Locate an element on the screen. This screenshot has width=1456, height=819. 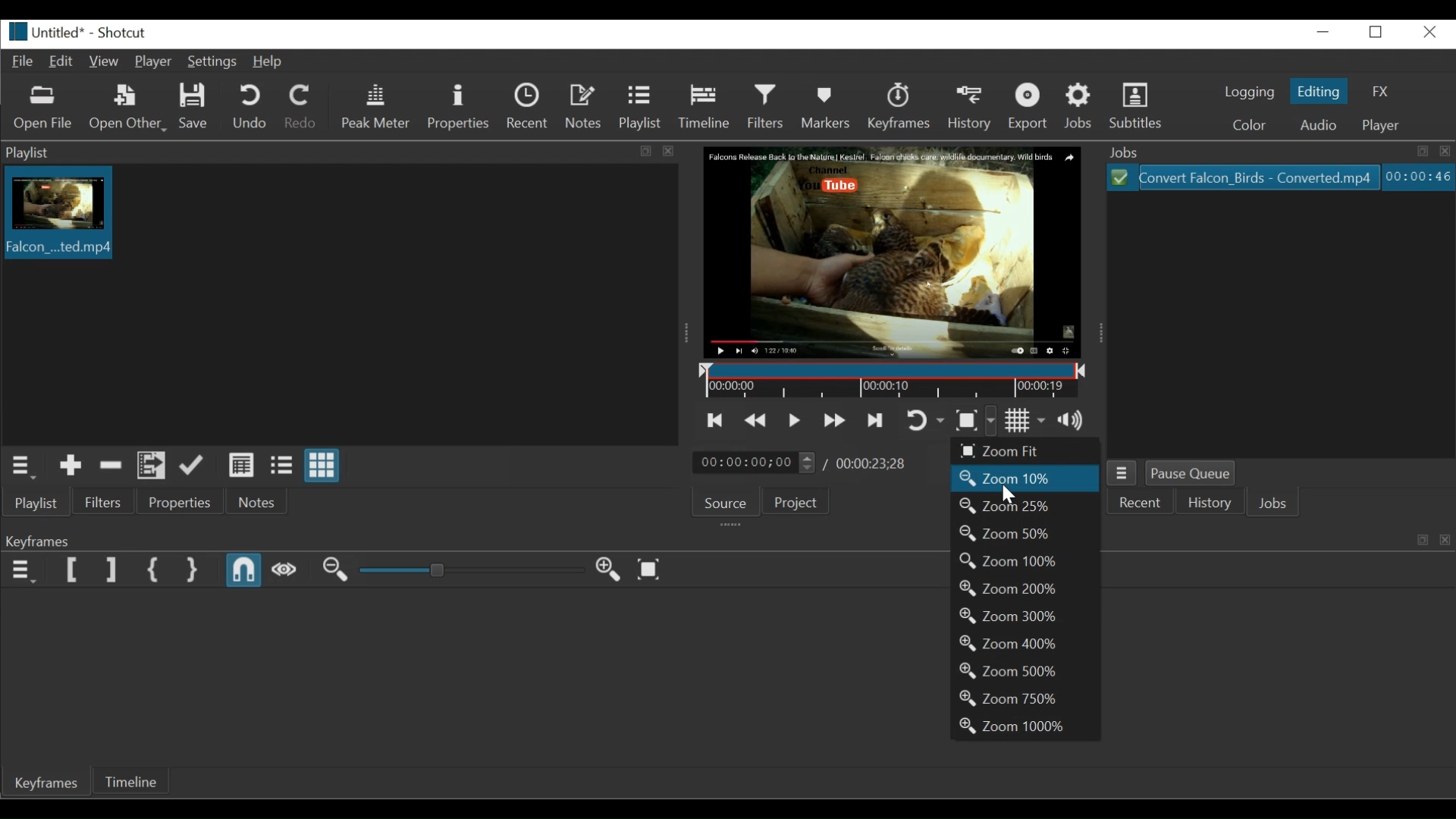
Open File is located at coordinates (44, 108).